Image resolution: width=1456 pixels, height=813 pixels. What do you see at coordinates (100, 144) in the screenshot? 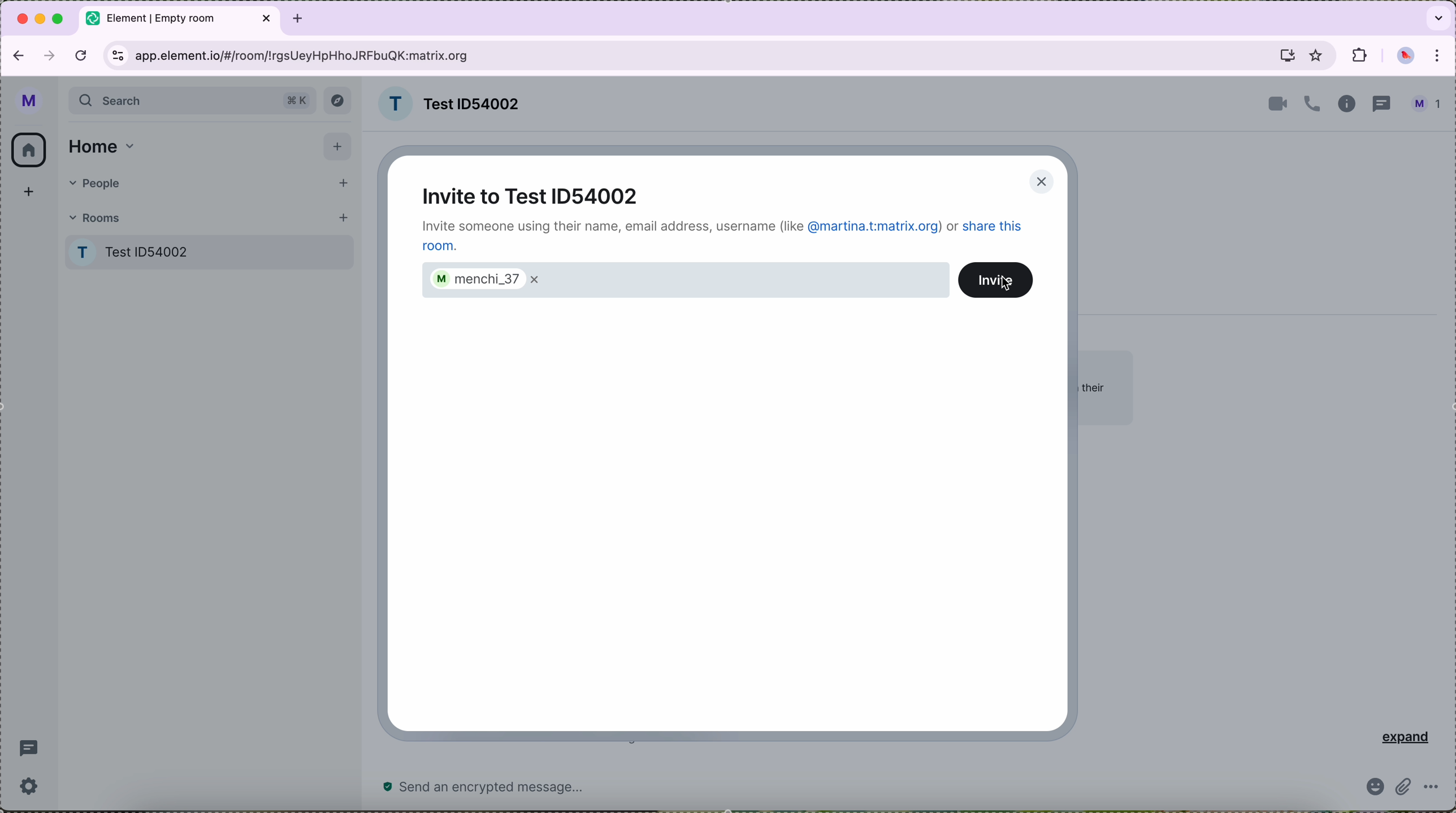
I see `home tab` at bounding box center [100, 144].